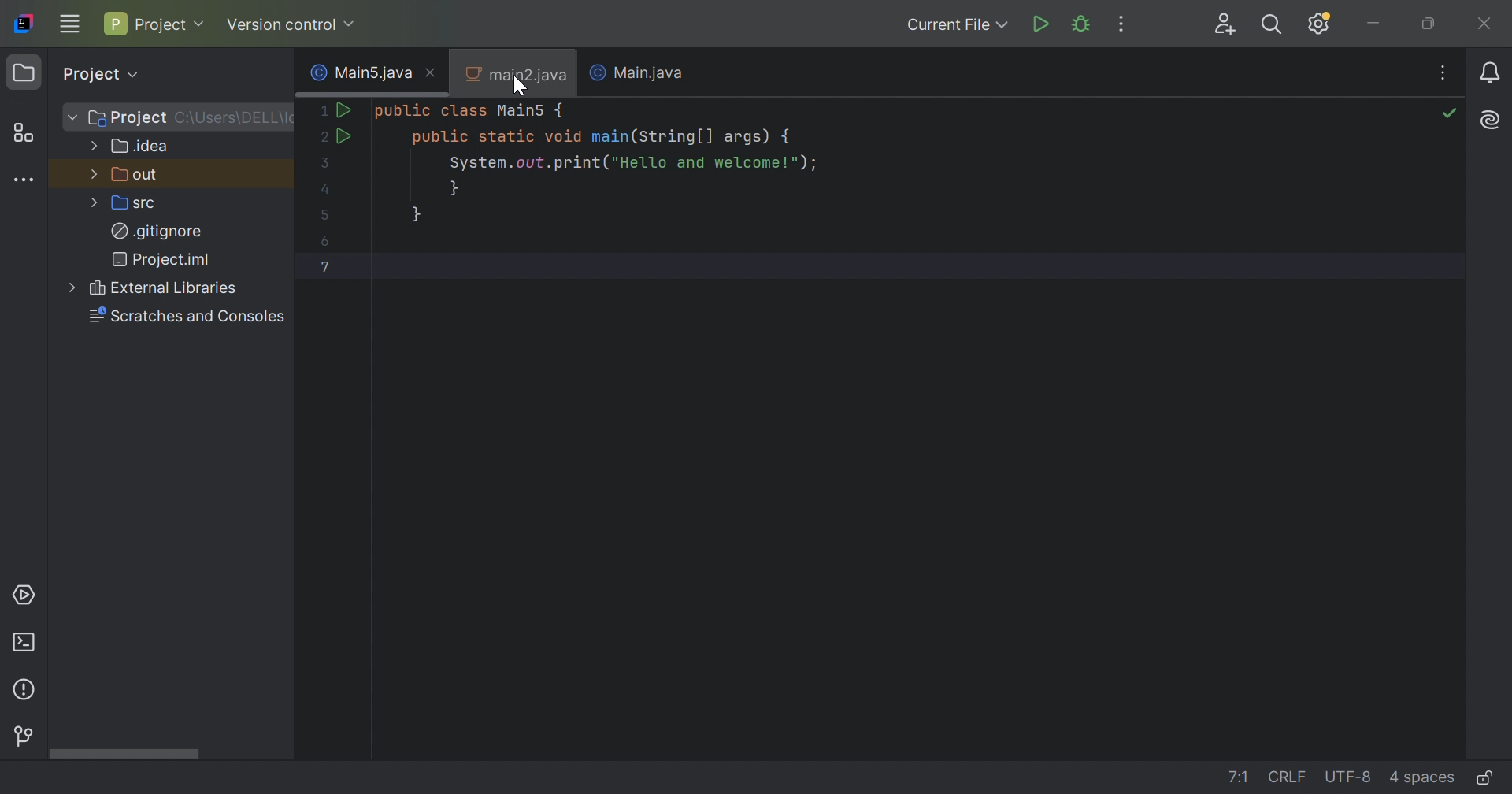 Image resolution: width=1512 pixels, height=794 pixels. Describe the element at coordinates (631, 162) in the screenshot. I see `System.out.print("Hello and welcome!");` at that location.